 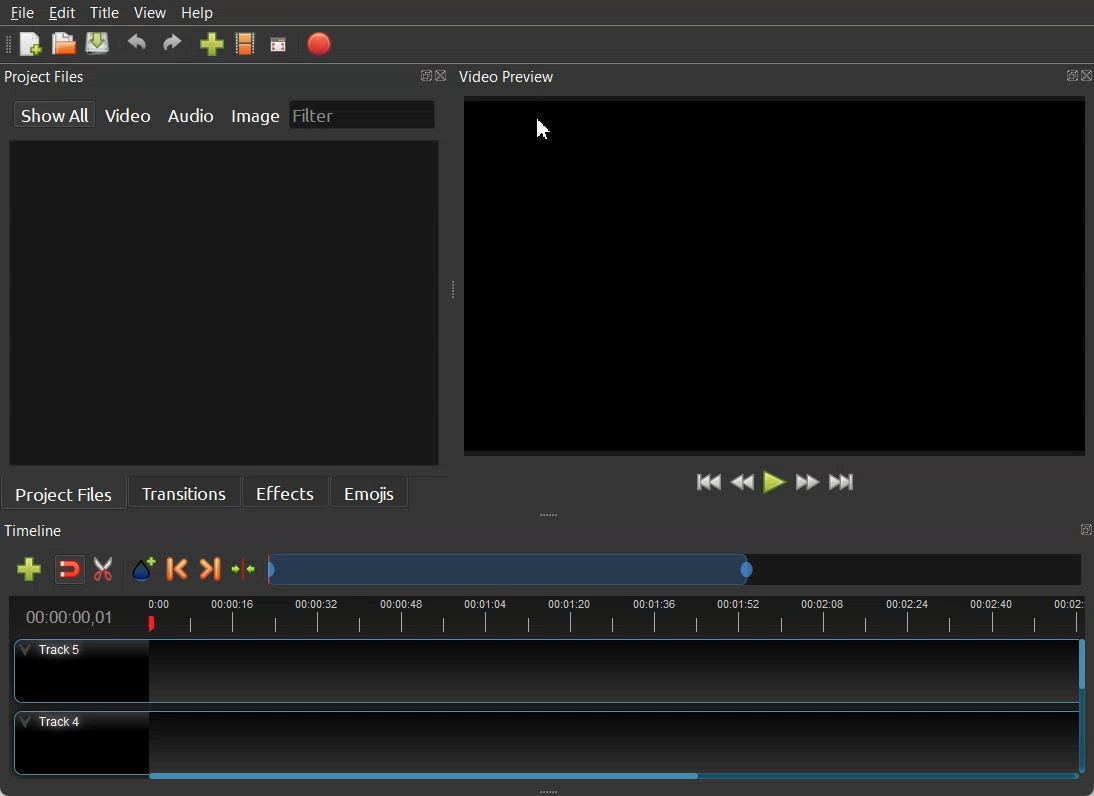 What do you see at coordinates (182, 491) in the screenshot?
I see `Transitions` at bounding box center [182, 491].